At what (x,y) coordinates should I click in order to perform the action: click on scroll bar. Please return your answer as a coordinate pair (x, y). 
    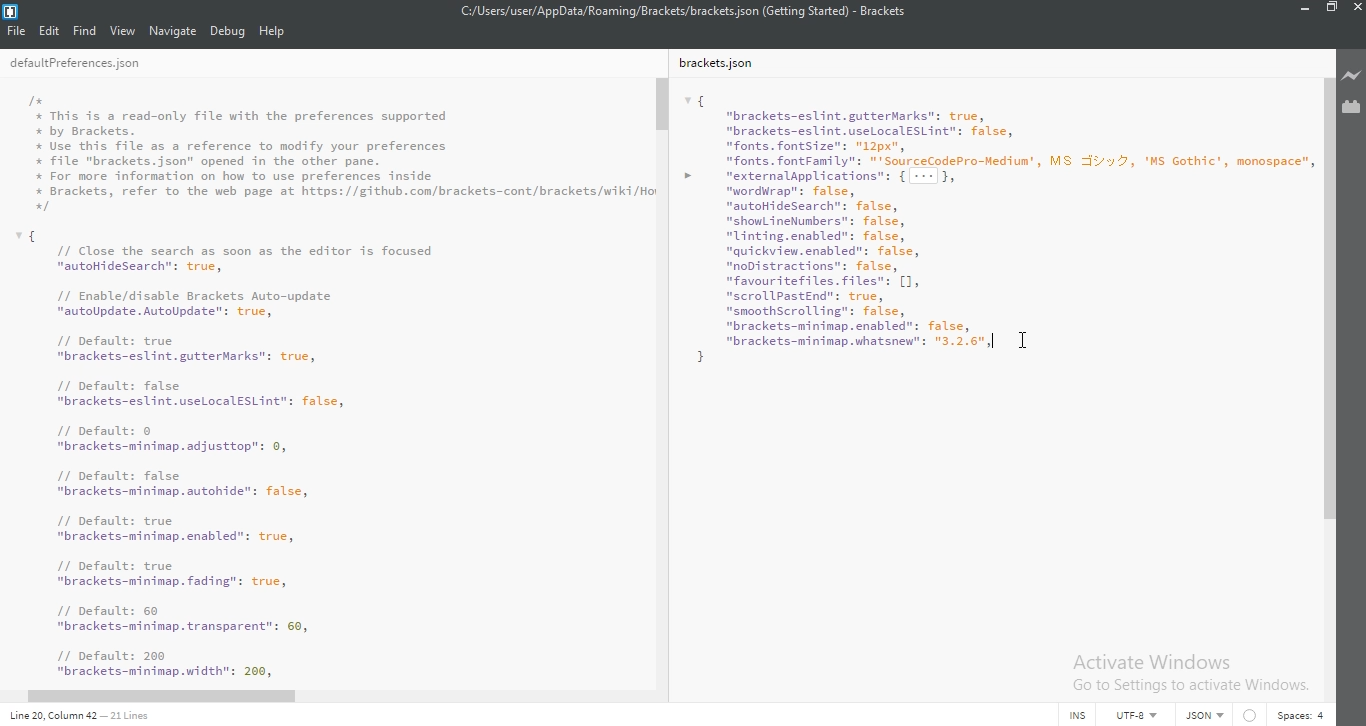
    Looking at the image, I should click on (663, 104).